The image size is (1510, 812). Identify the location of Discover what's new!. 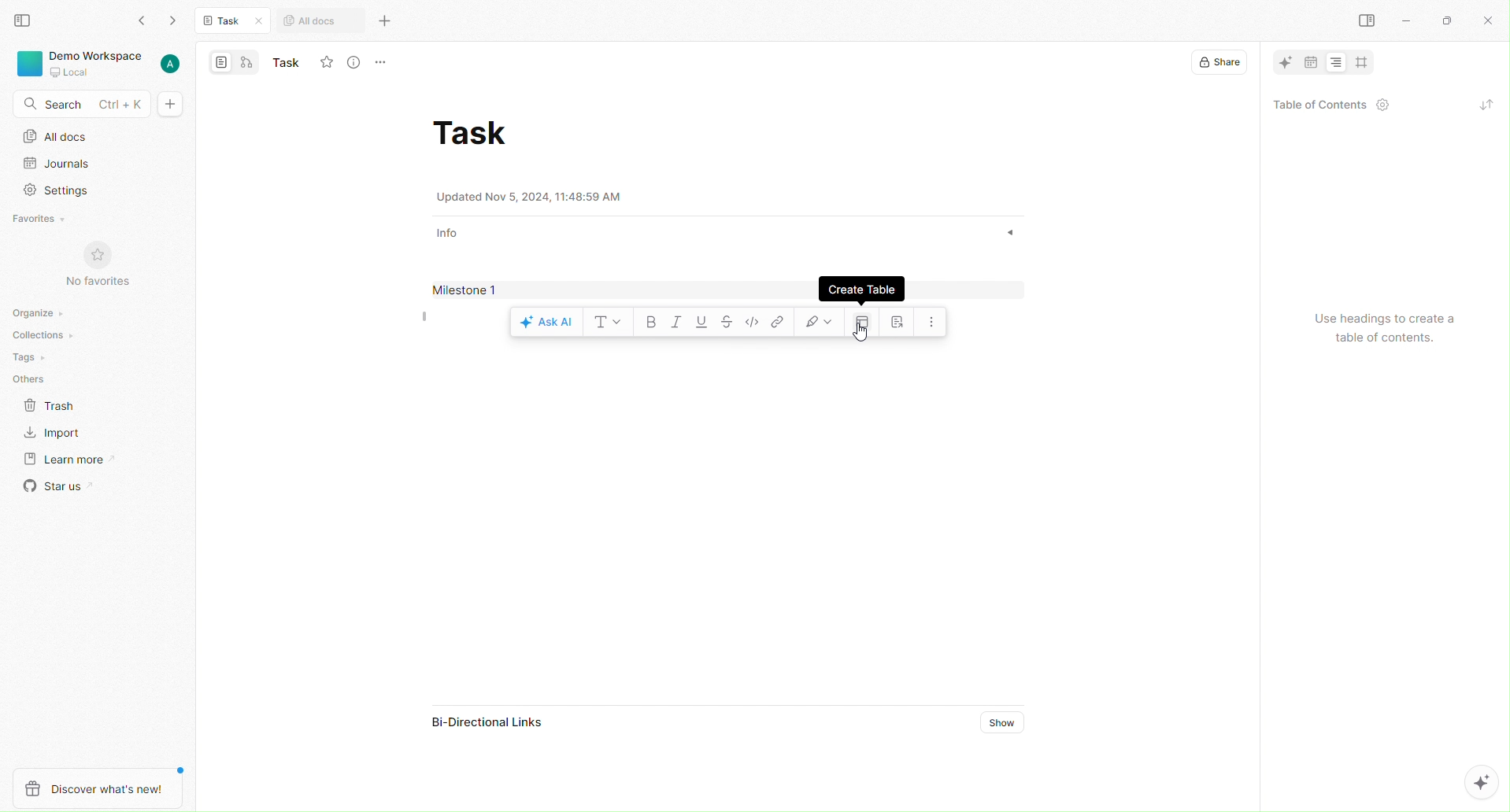
(101, 782).